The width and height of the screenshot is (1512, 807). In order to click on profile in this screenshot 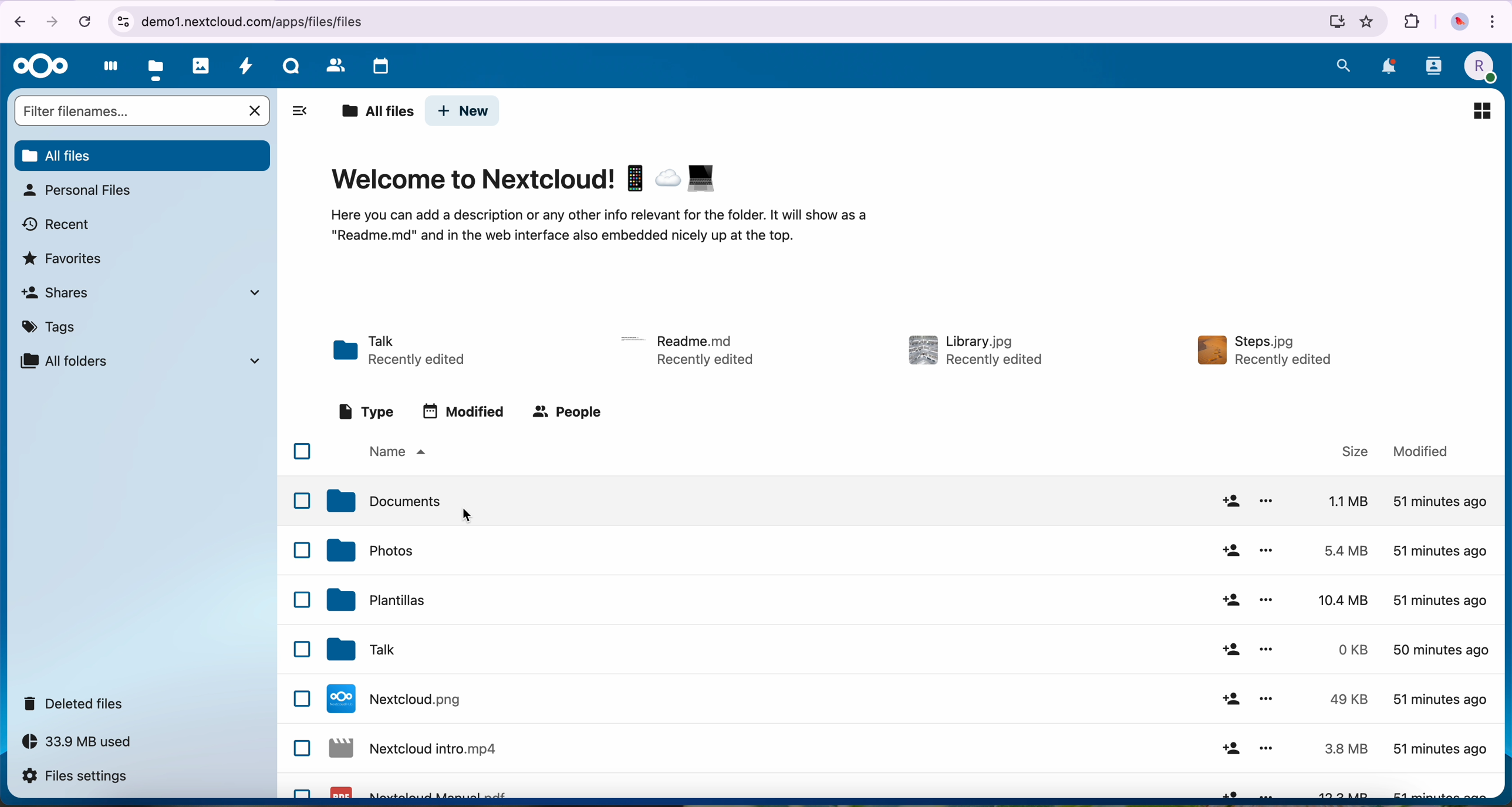, I will do `click(1478, 67)`.